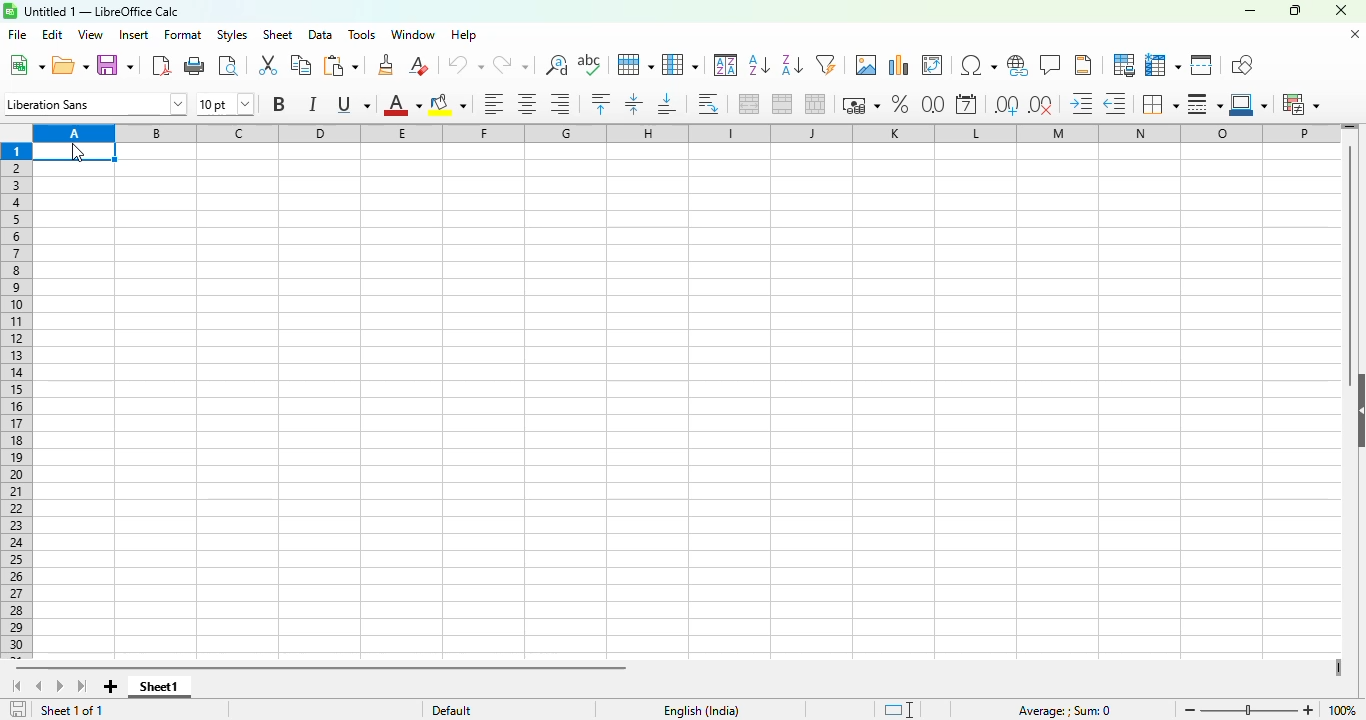 The height and width of the screenshot is (720, 1366). Describe the element at coordinates (589, 65) in the screenshot. I see `spelling` at that location.